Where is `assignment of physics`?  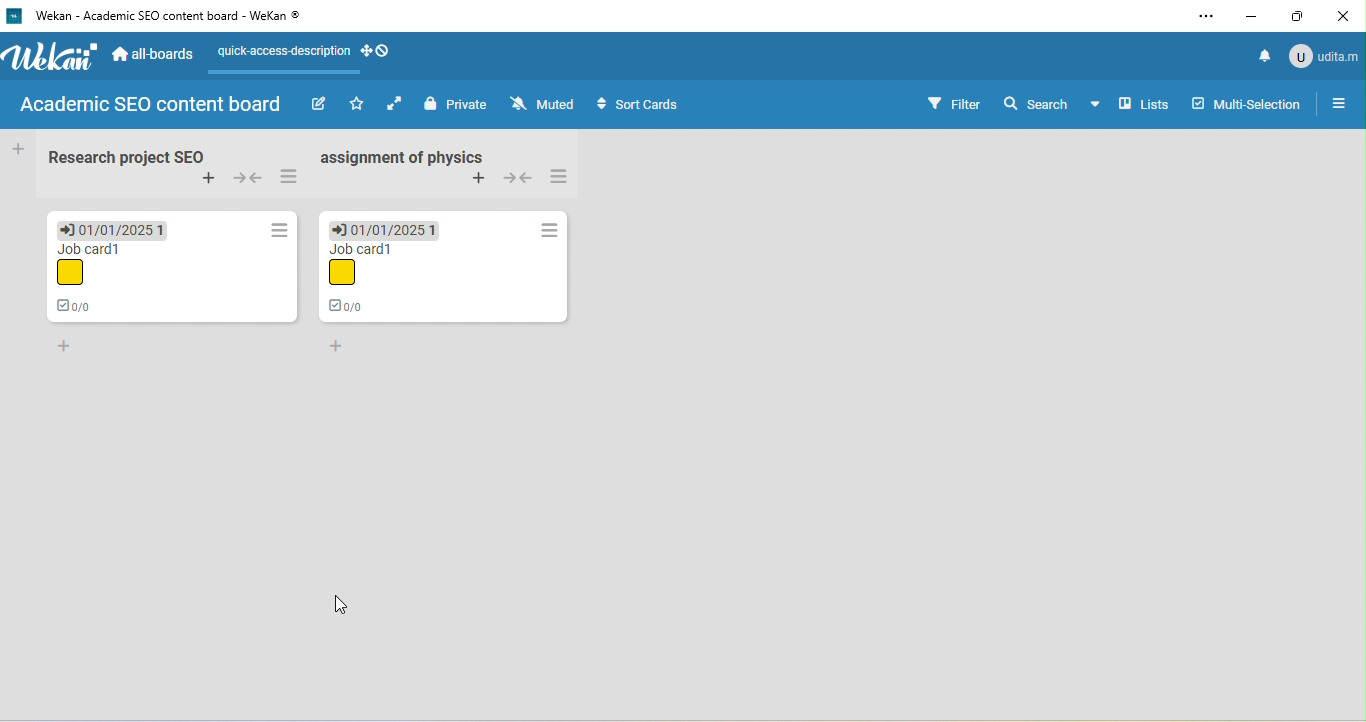 assignment of physics is located at coordinates (400, 156).